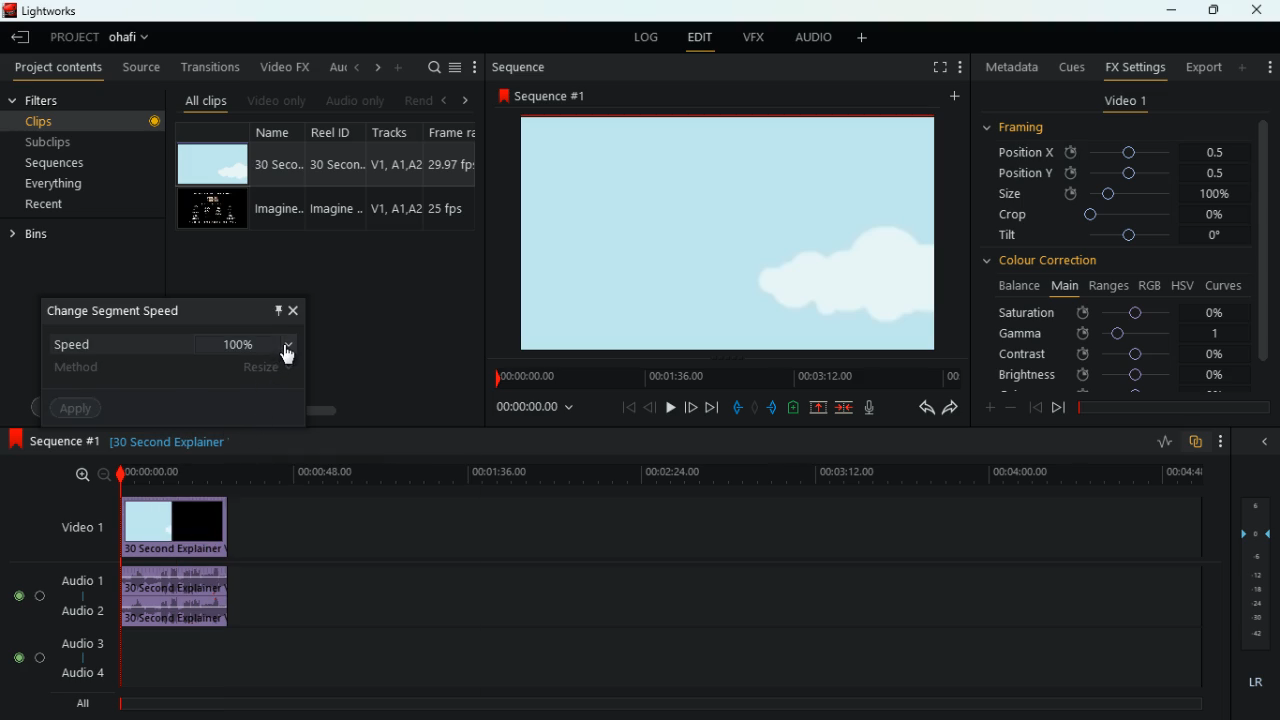 Image resolution: width=1280 pixels, height=720 pixels. What do you see at coordinates (1269, 66) in the screenshot?
I see `add` at bounding box center [1269, 66].